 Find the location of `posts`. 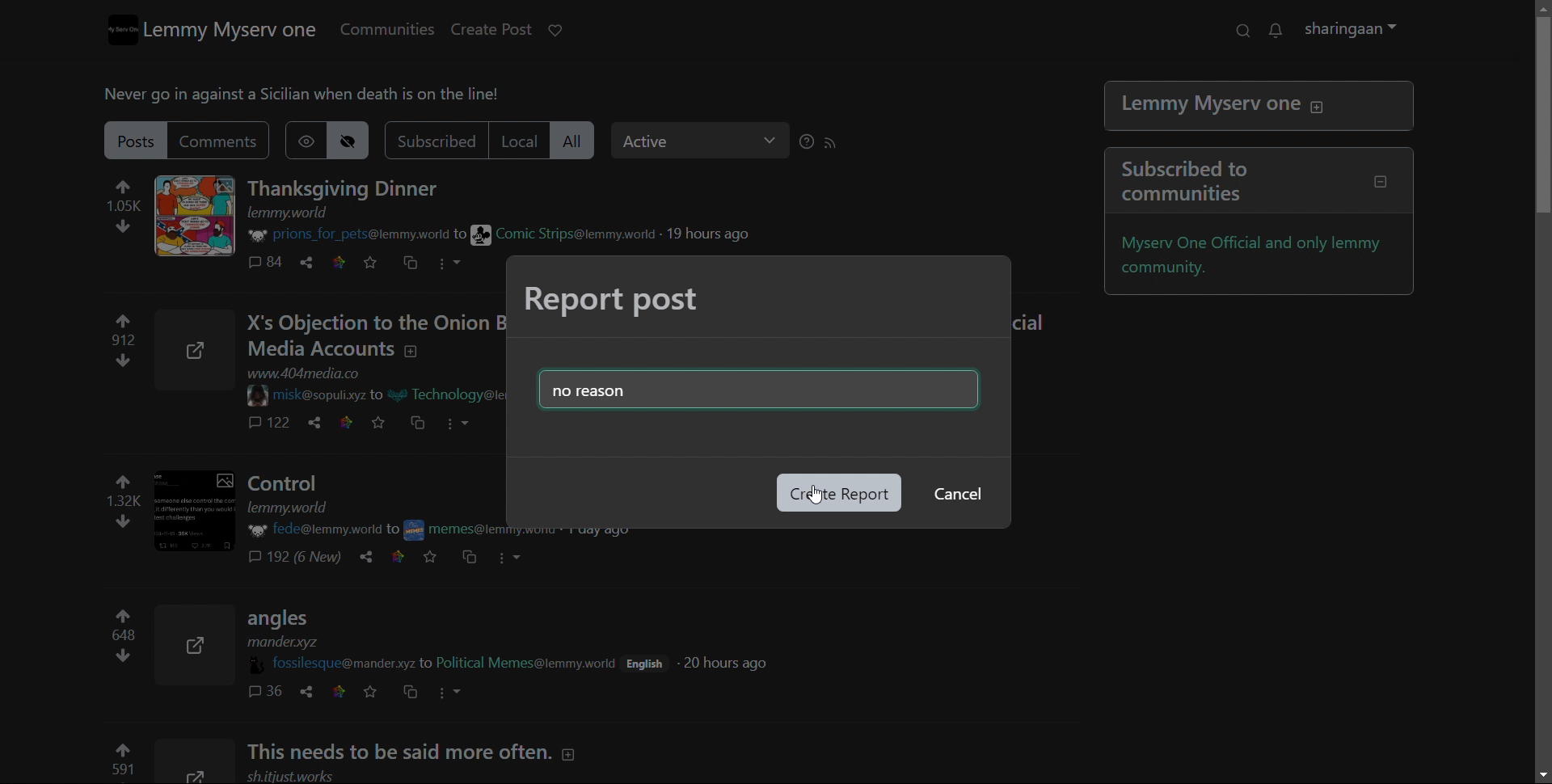

posts is located at coordinates (145, 140).